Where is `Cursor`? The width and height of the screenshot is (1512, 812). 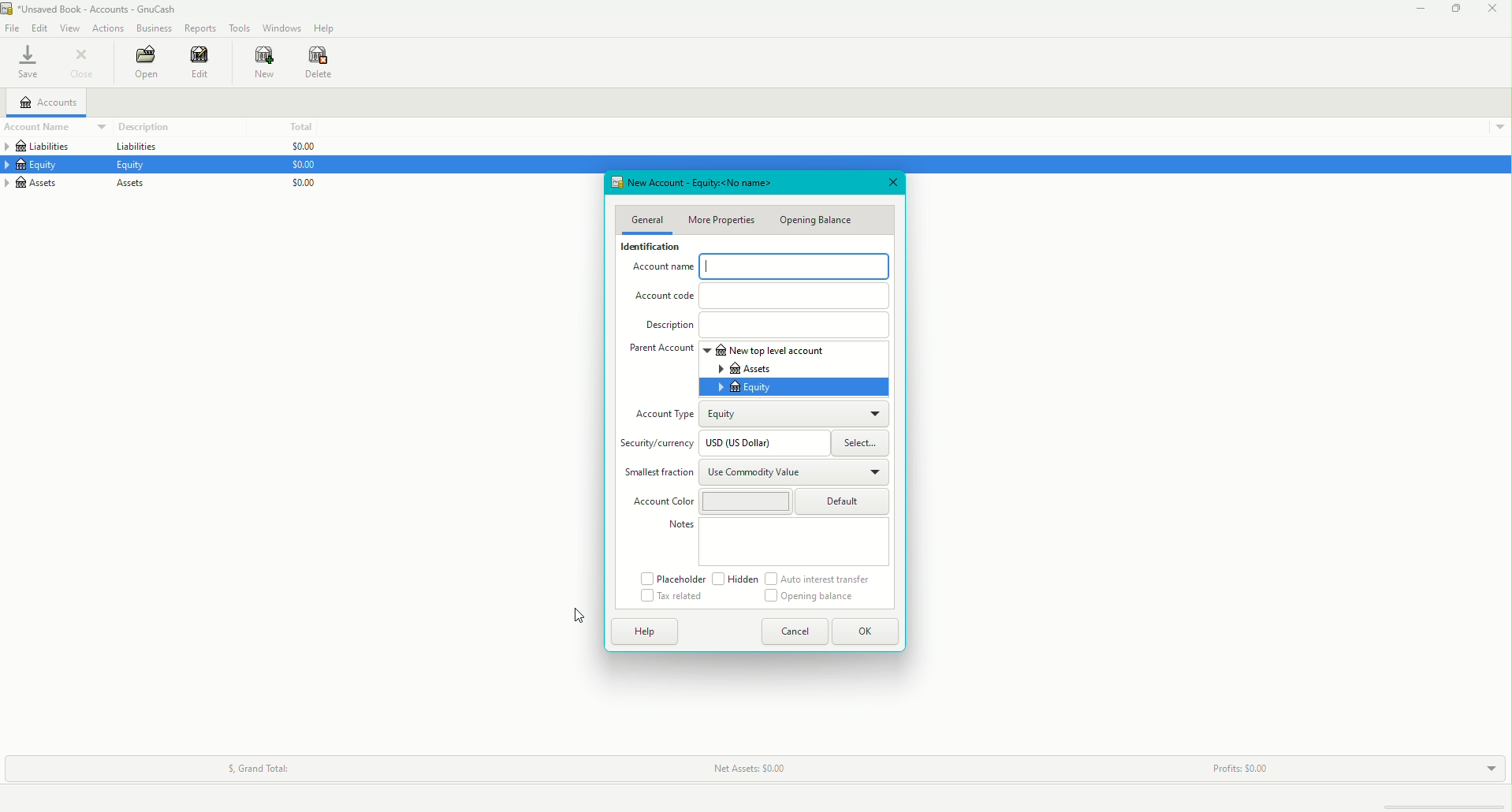 Cursor is located at coordinates (573, 619).